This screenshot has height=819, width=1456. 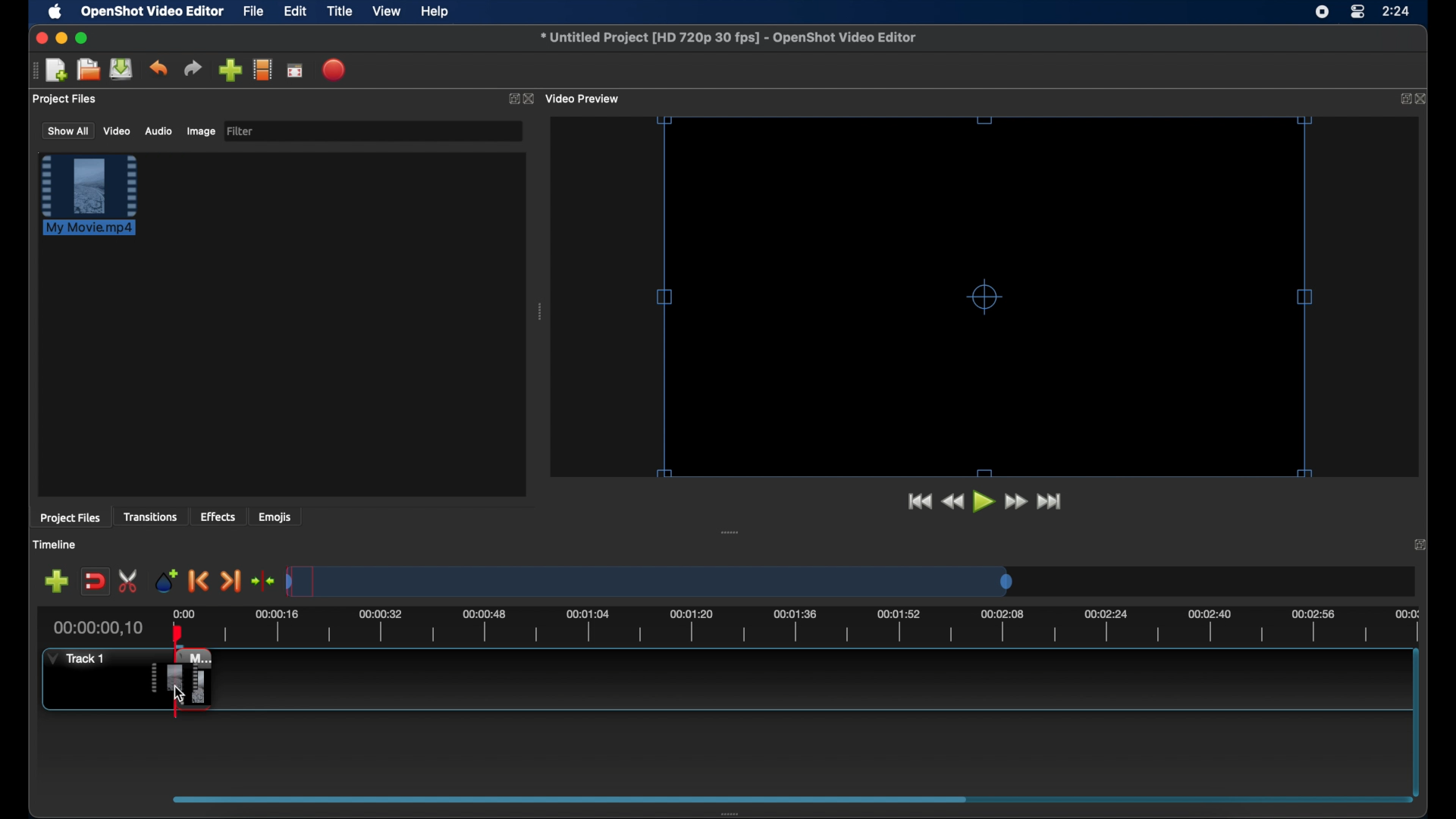 What do you see at coordinates (1397, 13) in the screenshot?
I see `rime` at bounding box center [1397, 13].